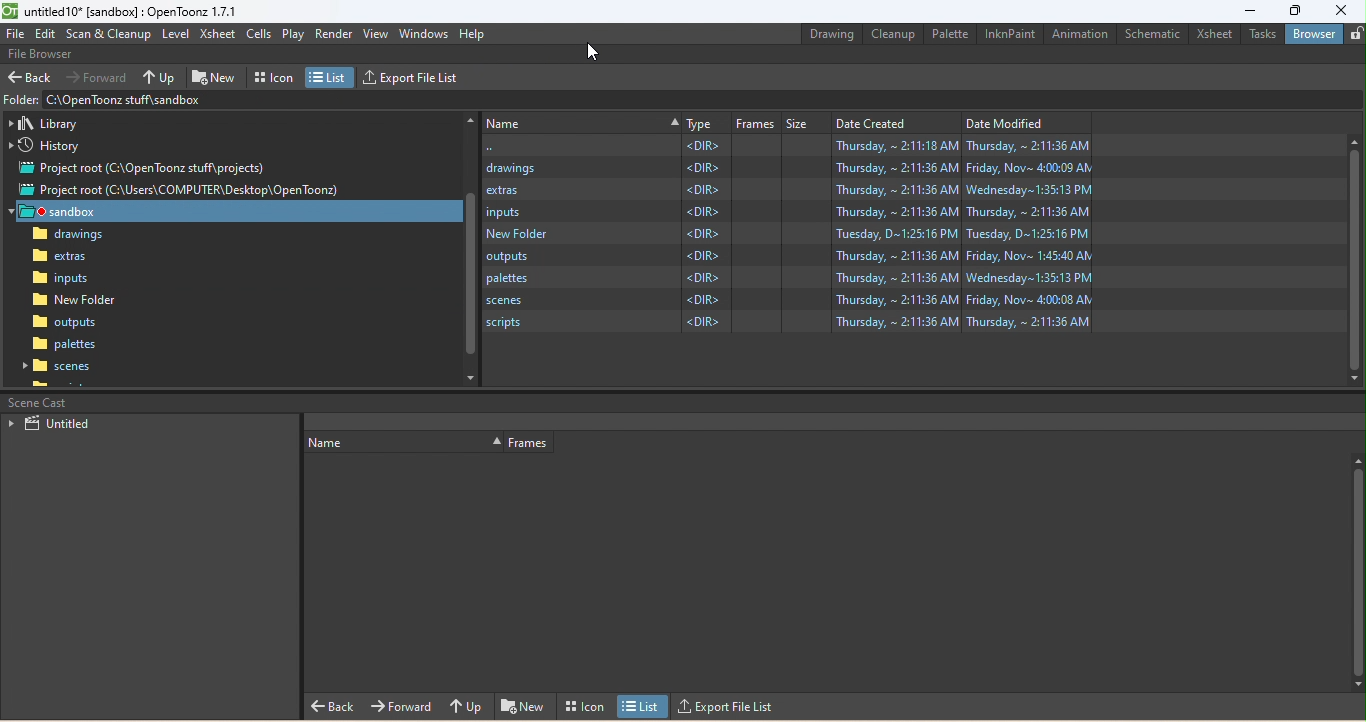 The width and height of the screenshot is (1366, 722). What do you see at coordinates (330, 75) in the screenshot?
I see `List` at bounding box center [330, 75].